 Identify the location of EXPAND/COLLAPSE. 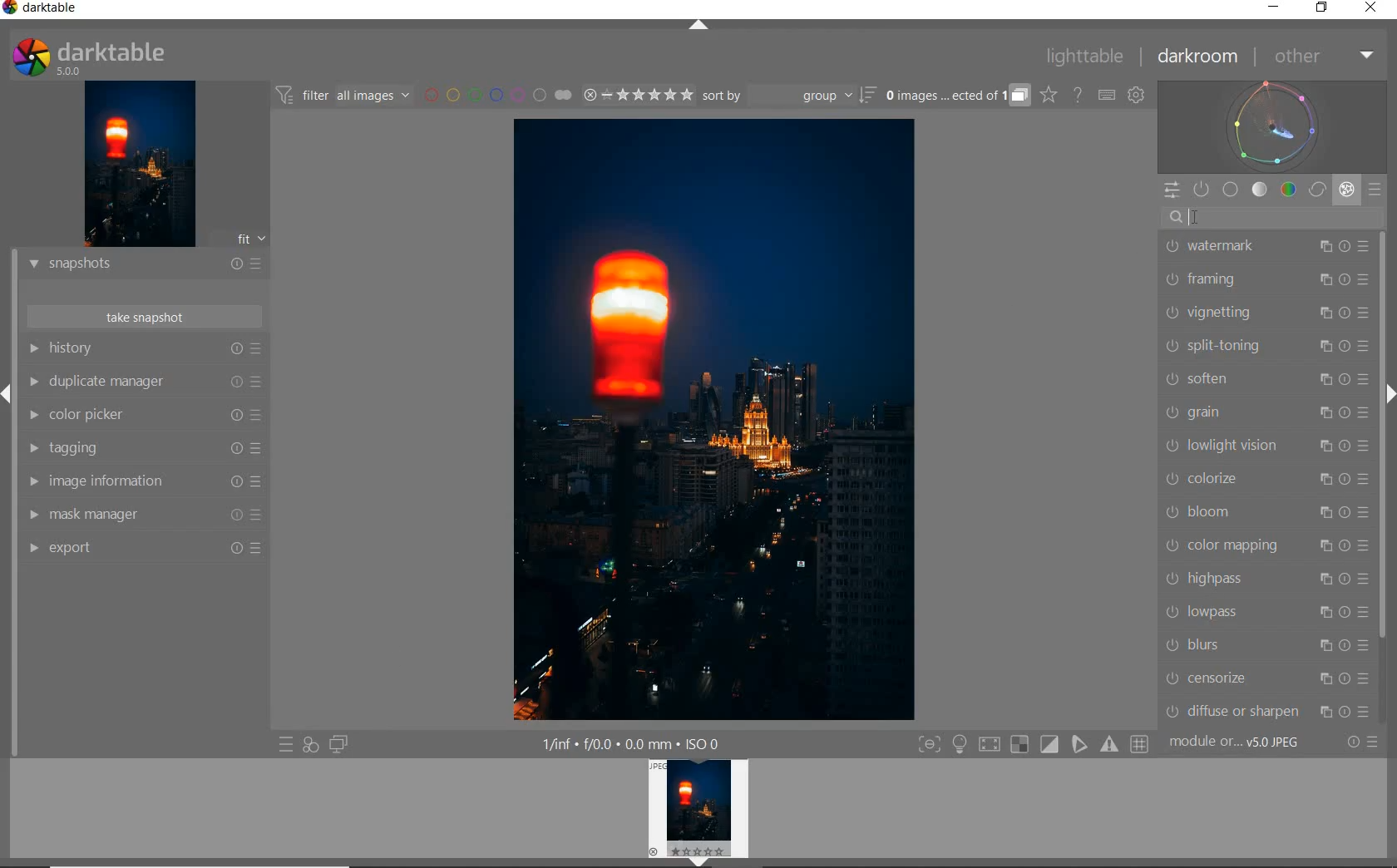
(700, 27).